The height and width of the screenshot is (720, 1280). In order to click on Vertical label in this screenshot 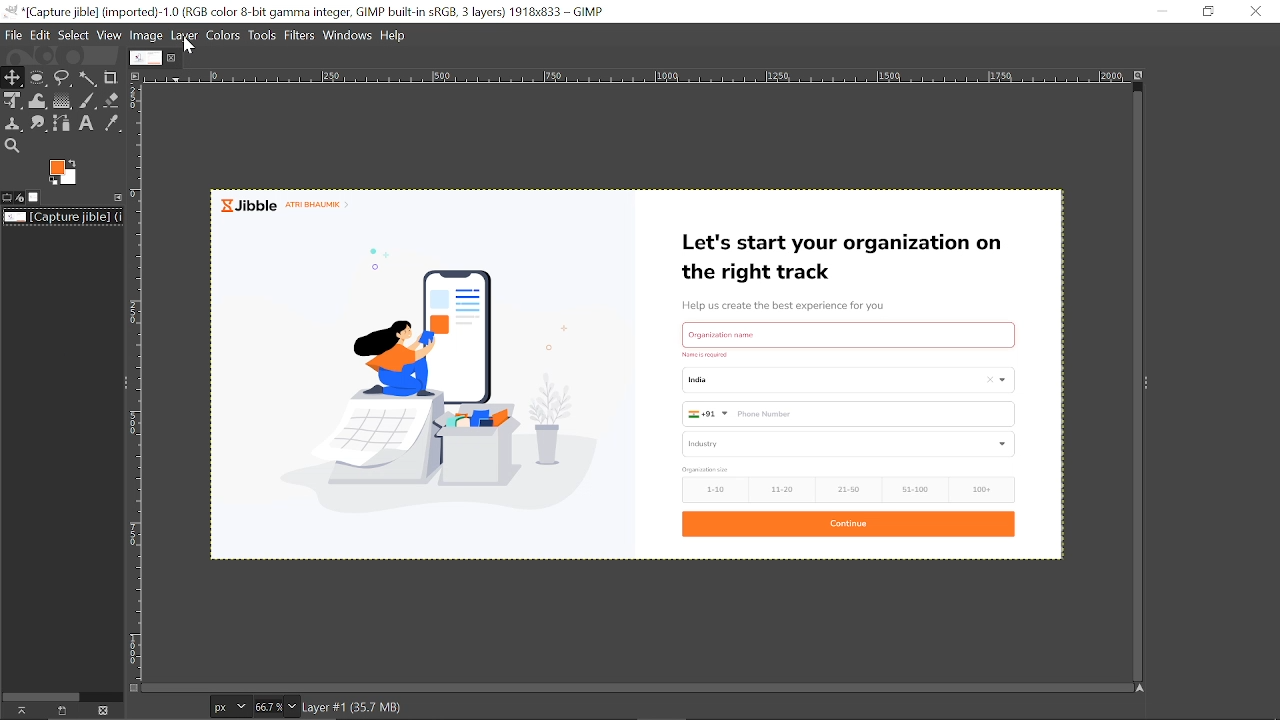, I will do `click(136, 384)`.